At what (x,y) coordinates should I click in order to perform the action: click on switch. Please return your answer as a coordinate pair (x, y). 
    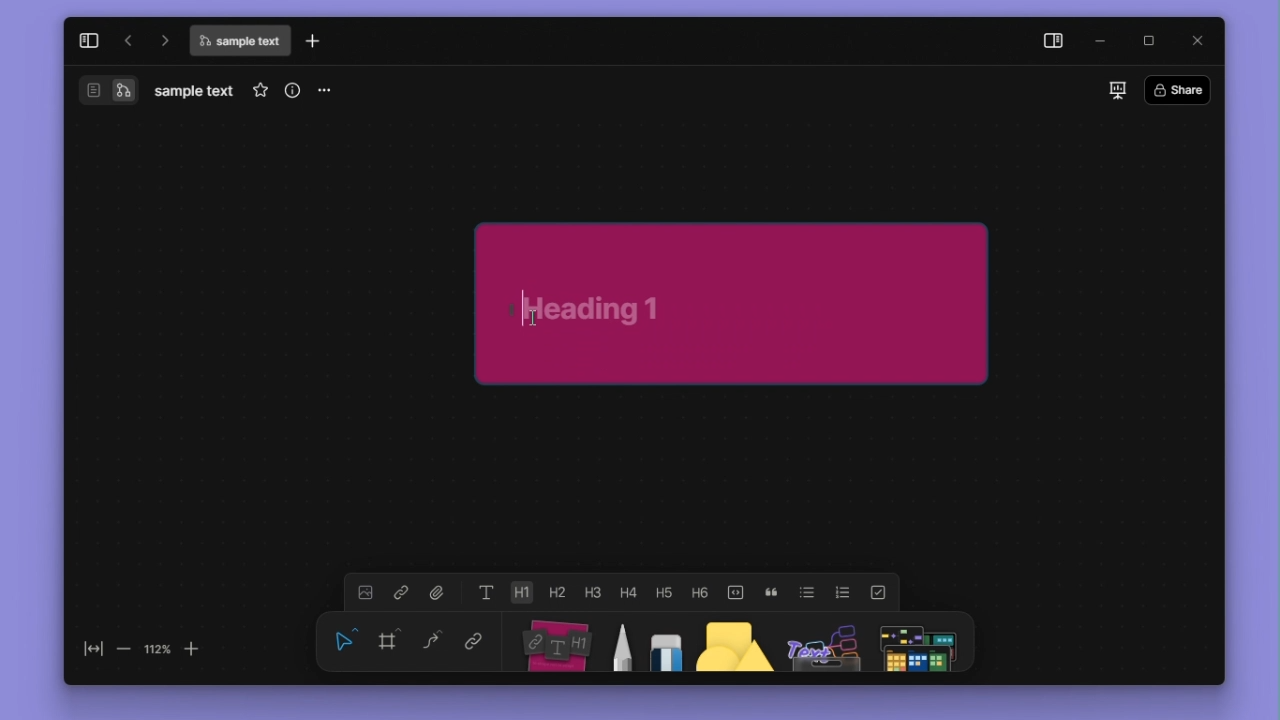
    Looking at the image, I should click on (123, 90).